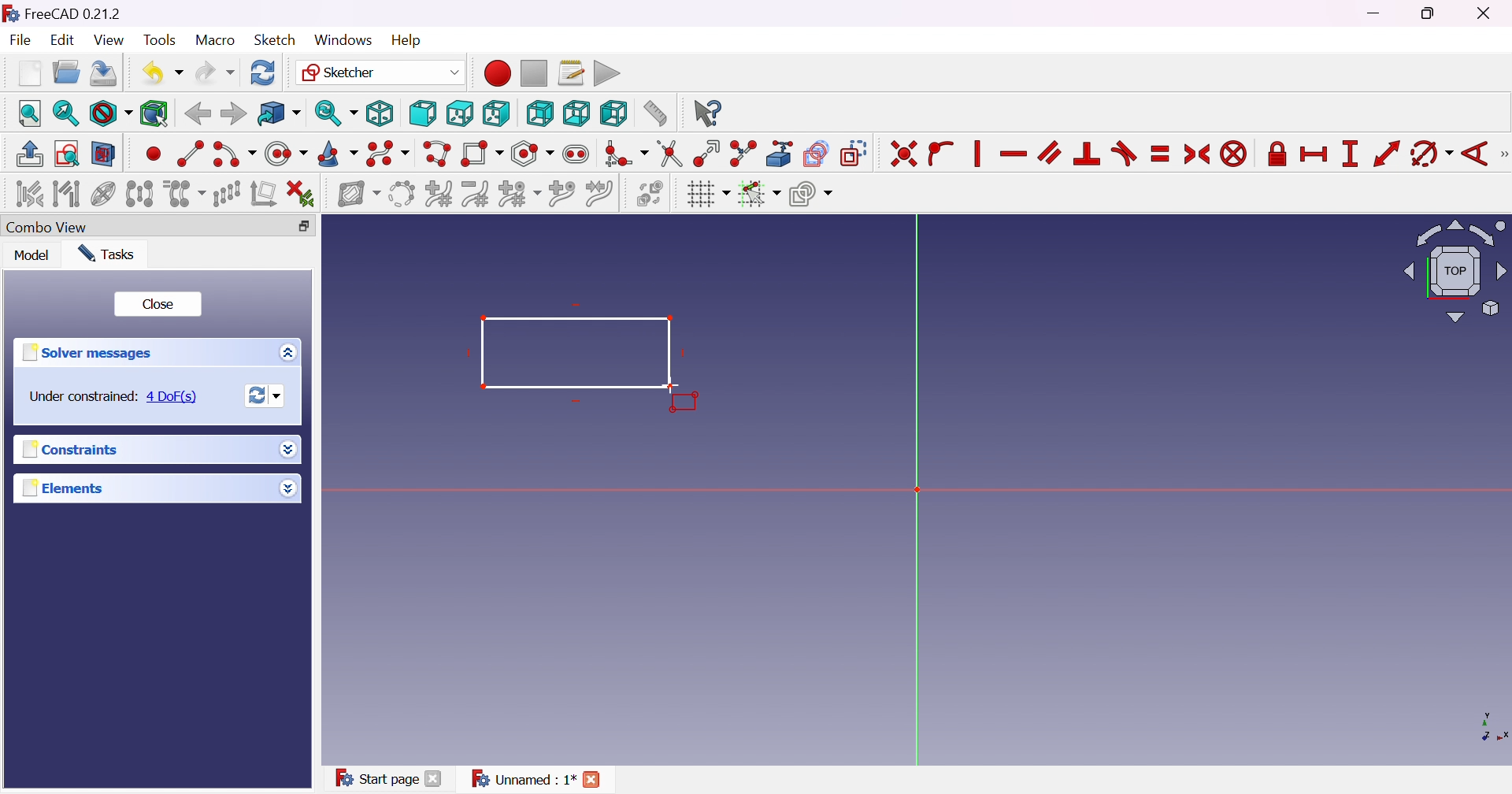 This screenshot has height=794, width=1512. I want to click on Create point, so click(153, 156).